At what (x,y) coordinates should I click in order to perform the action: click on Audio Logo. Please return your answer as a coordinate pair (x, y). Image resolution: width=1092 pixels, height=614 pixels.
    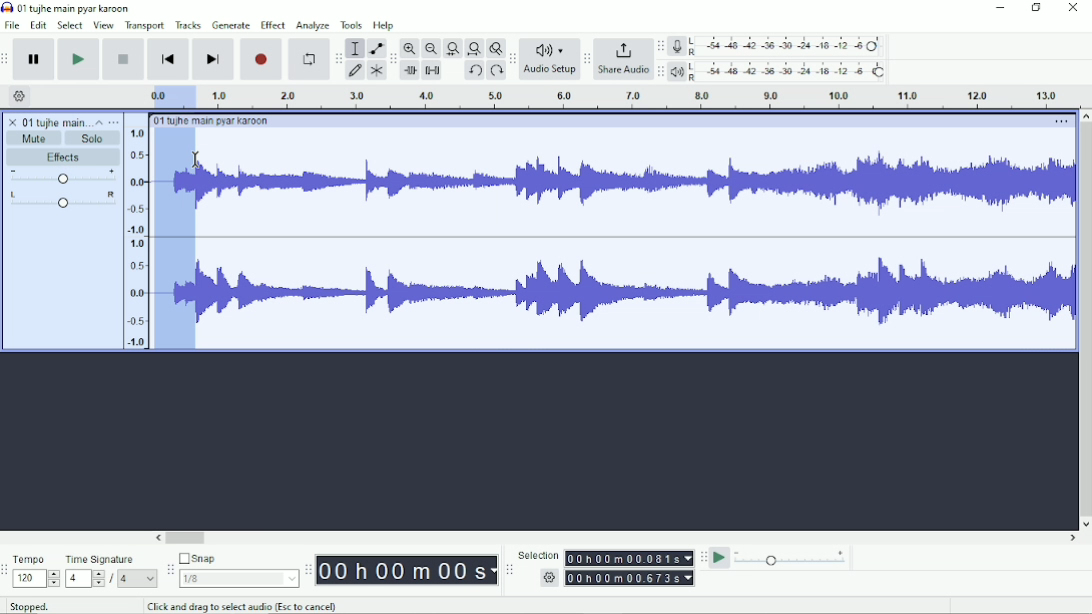
    Looking at the image, I should click on (550, 46).